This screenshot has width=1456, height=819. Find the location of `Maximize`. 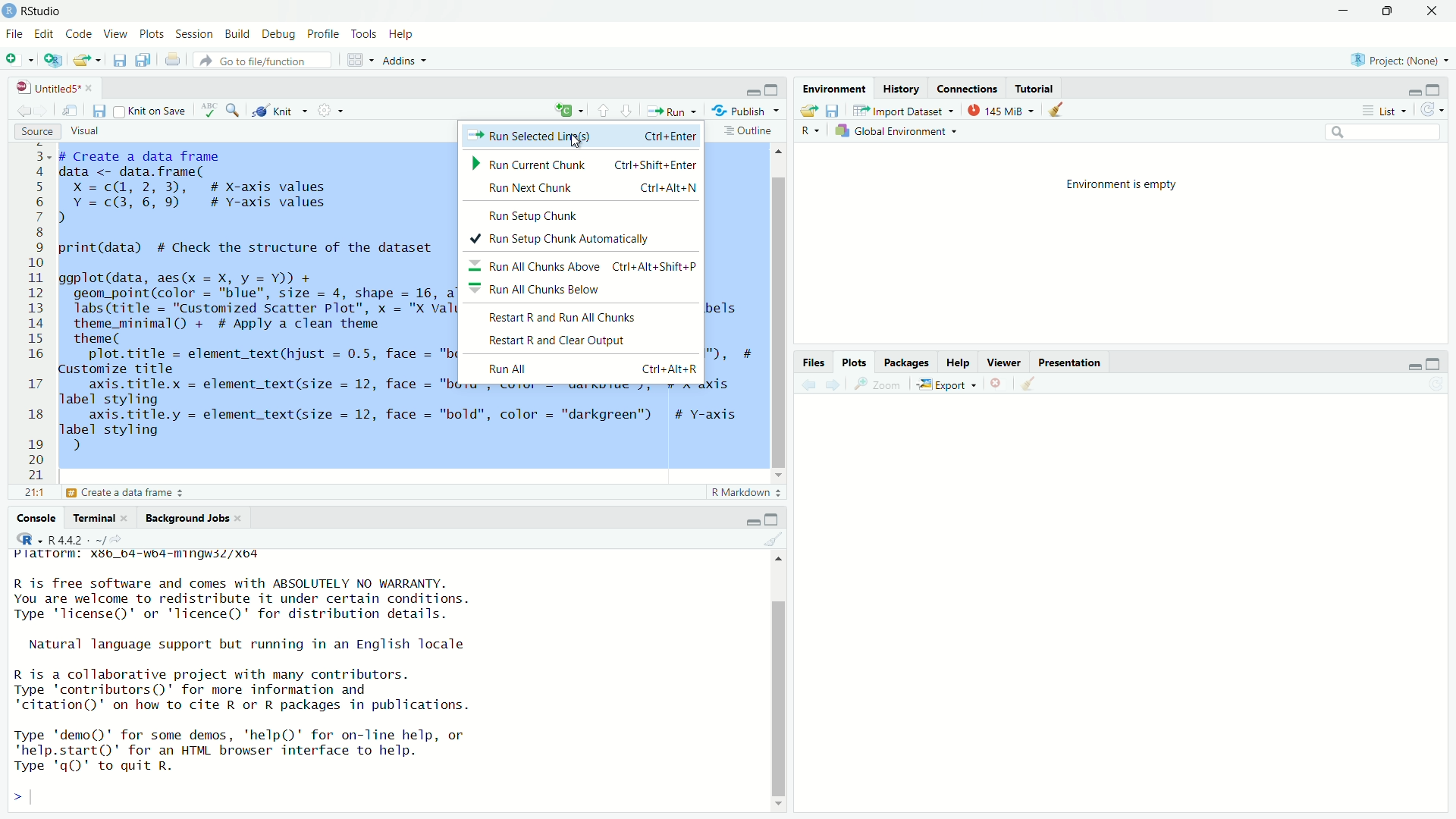

Maximize is located at coordinates (773, 520).